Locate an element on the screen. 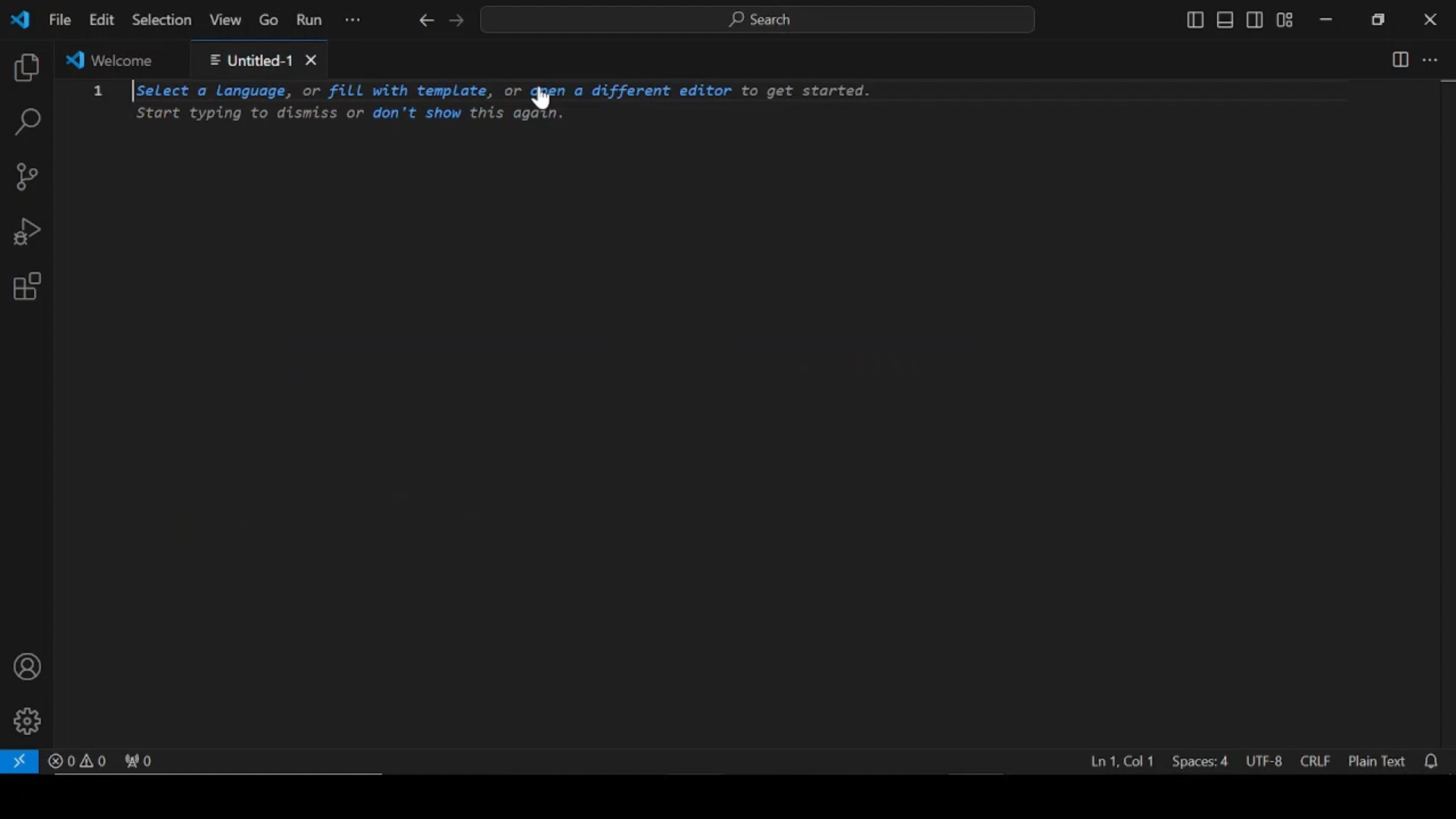 The image size is (1456, 819). next is located at coordinates (456, 20).